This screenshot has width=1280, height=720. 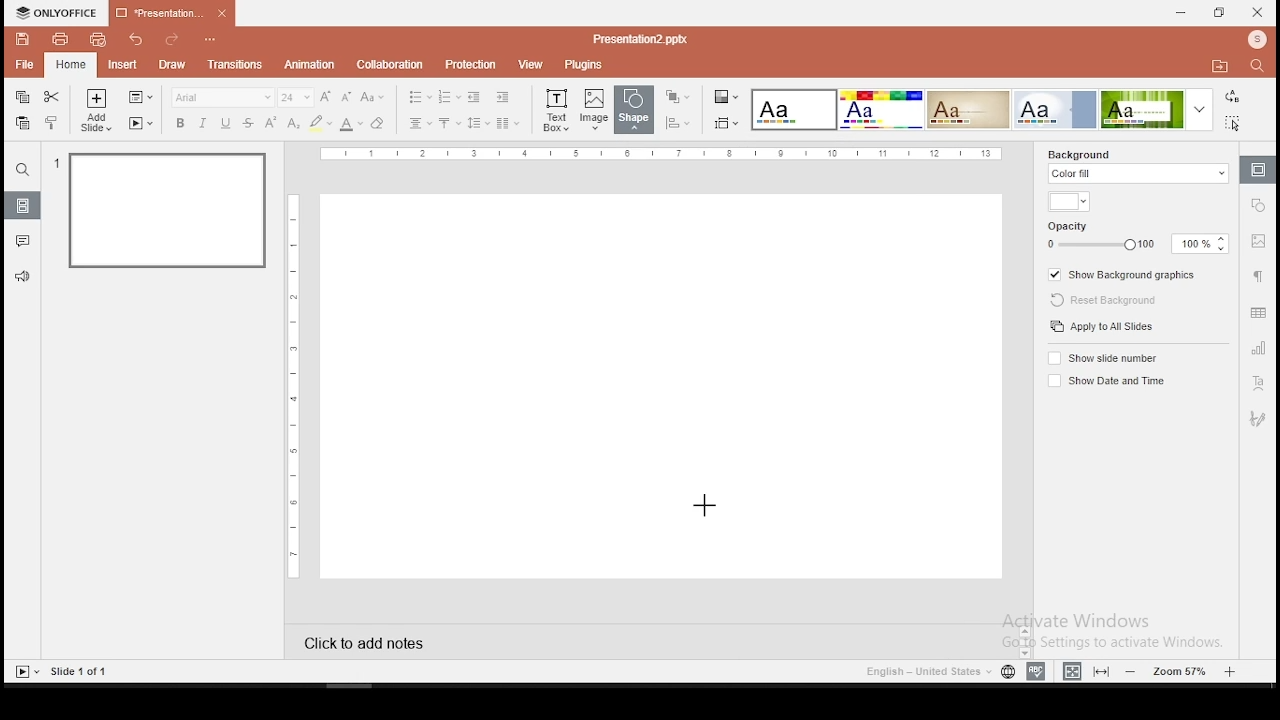 I want to click on find, so click(x=1261, y=68).